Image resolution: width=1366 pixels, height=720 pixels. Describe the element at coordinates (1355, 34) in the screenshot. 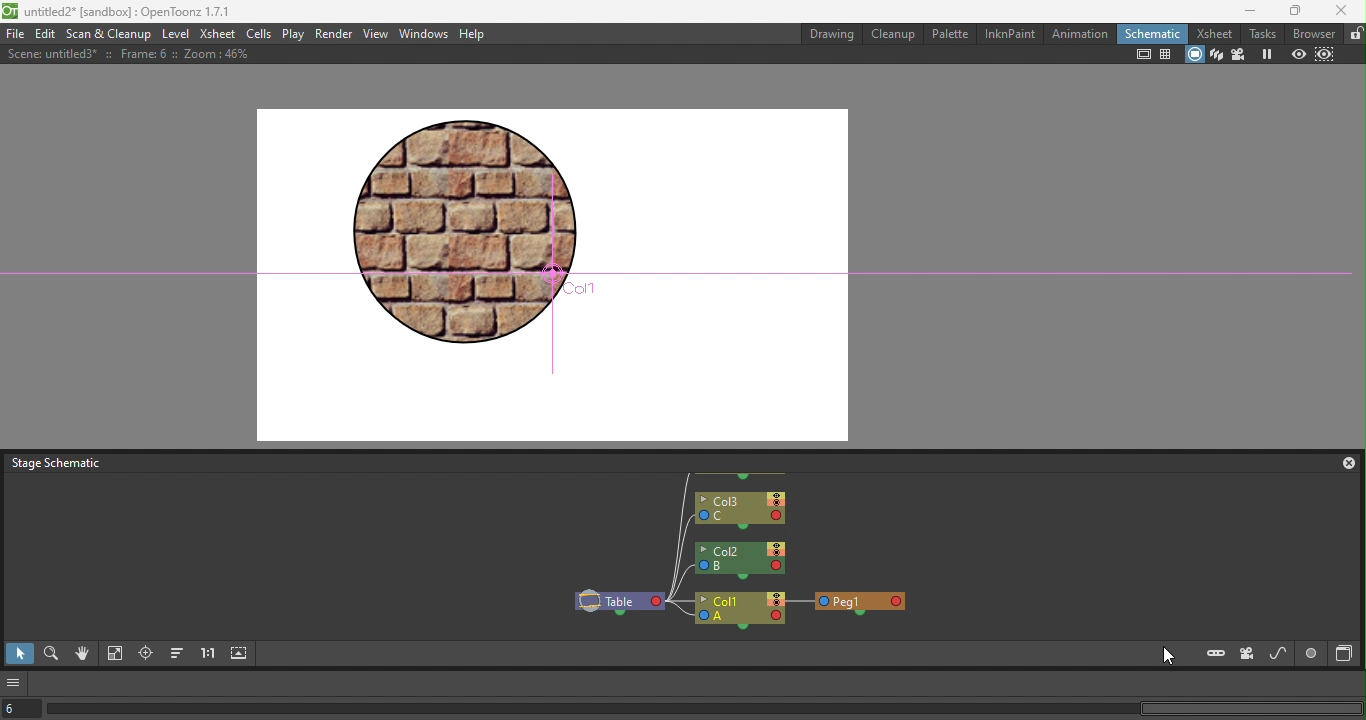

I see `Lock rooms tab` at that location.